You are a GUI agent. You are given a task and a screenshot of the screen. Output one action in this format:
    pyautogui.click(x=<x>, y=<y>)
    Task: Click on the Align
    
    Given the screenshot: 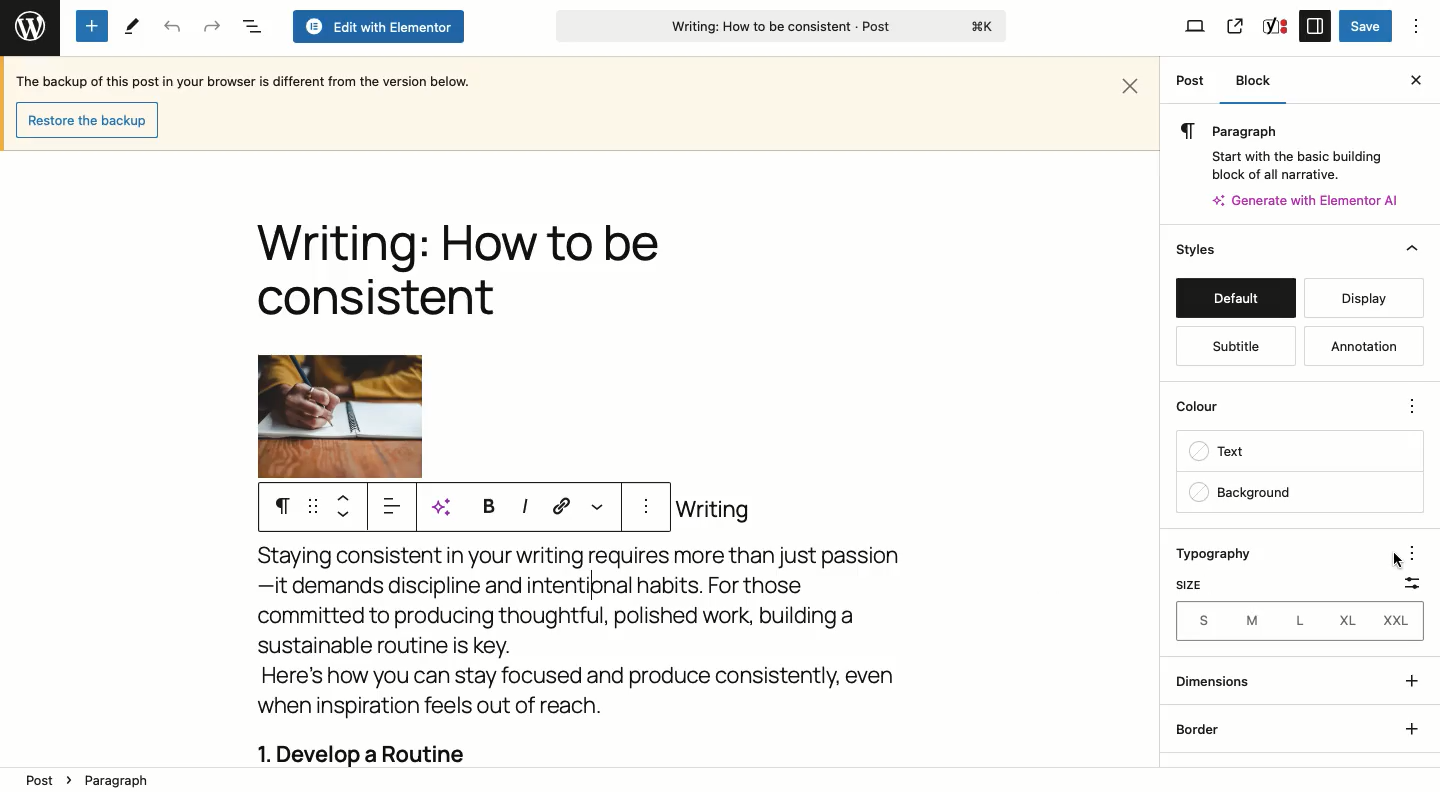 What is the action you would take?
    pyautogui.click(x=395, y=510)
    